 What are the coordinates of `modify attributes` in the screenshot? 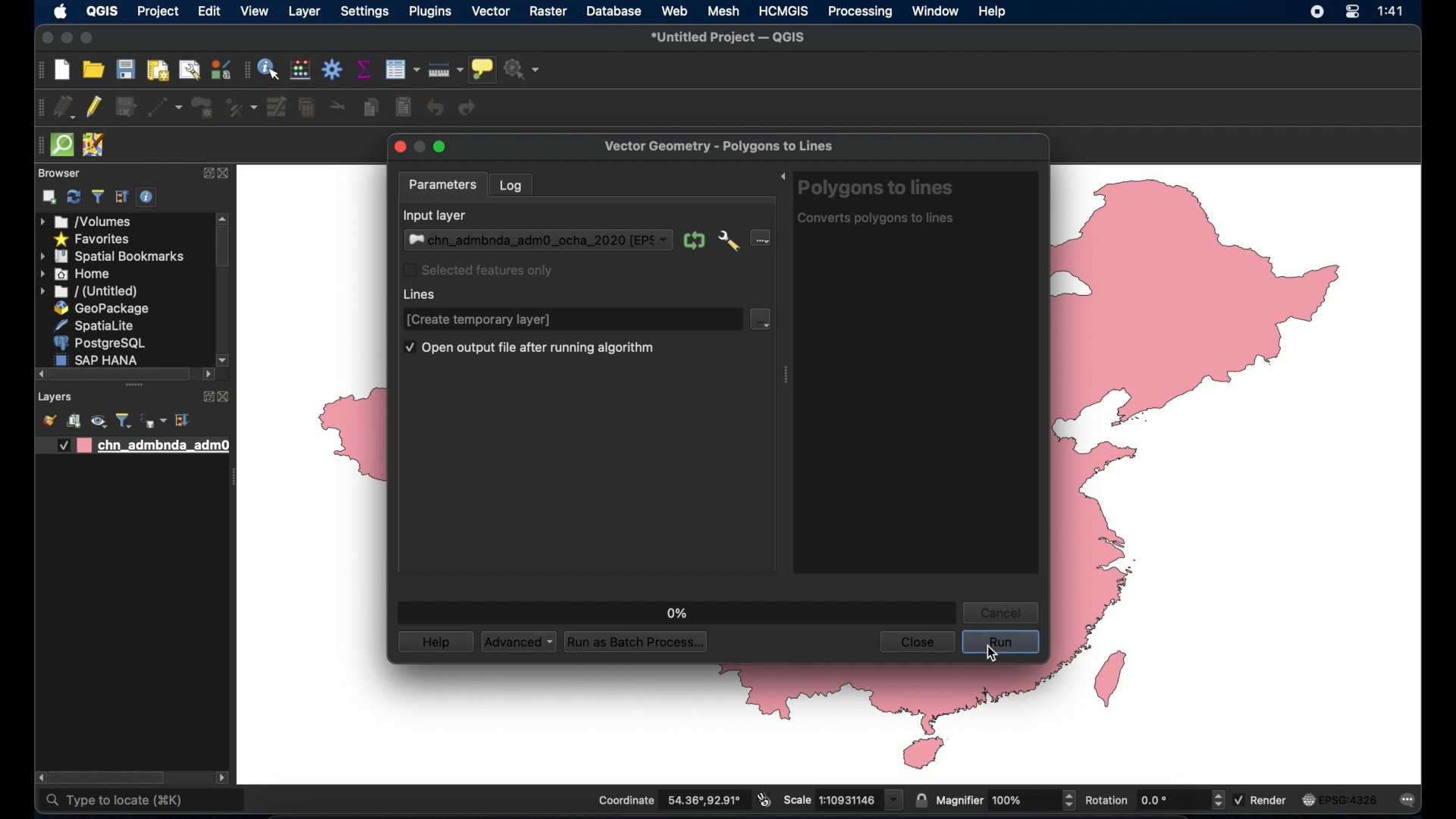 It's located at (401, 69).